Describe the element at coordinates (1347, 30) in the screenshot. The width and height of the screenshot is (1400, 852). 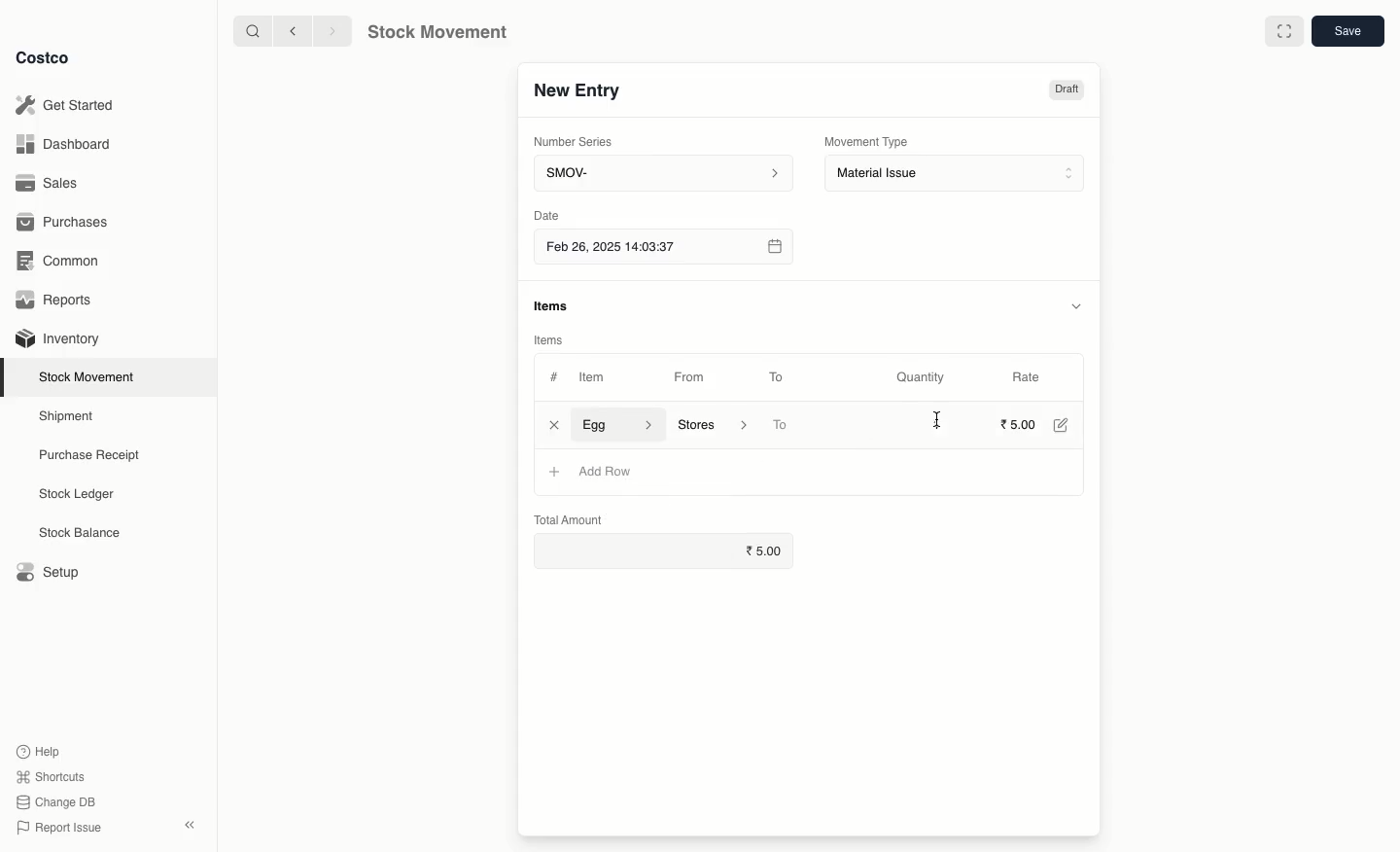
I see `save` at that location.